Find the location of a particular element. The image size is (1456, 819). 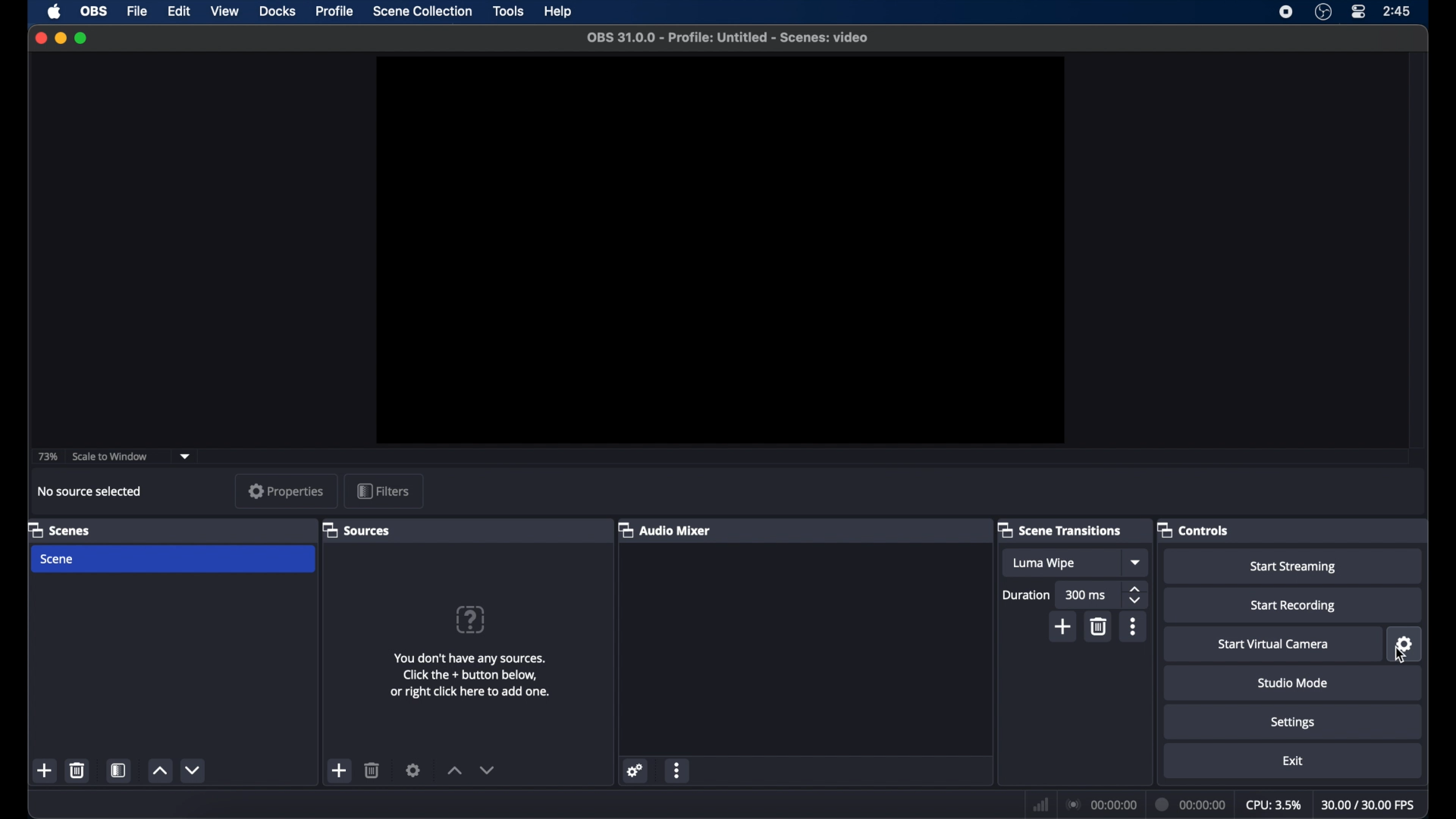

edit is located at coordinates (178, 10).